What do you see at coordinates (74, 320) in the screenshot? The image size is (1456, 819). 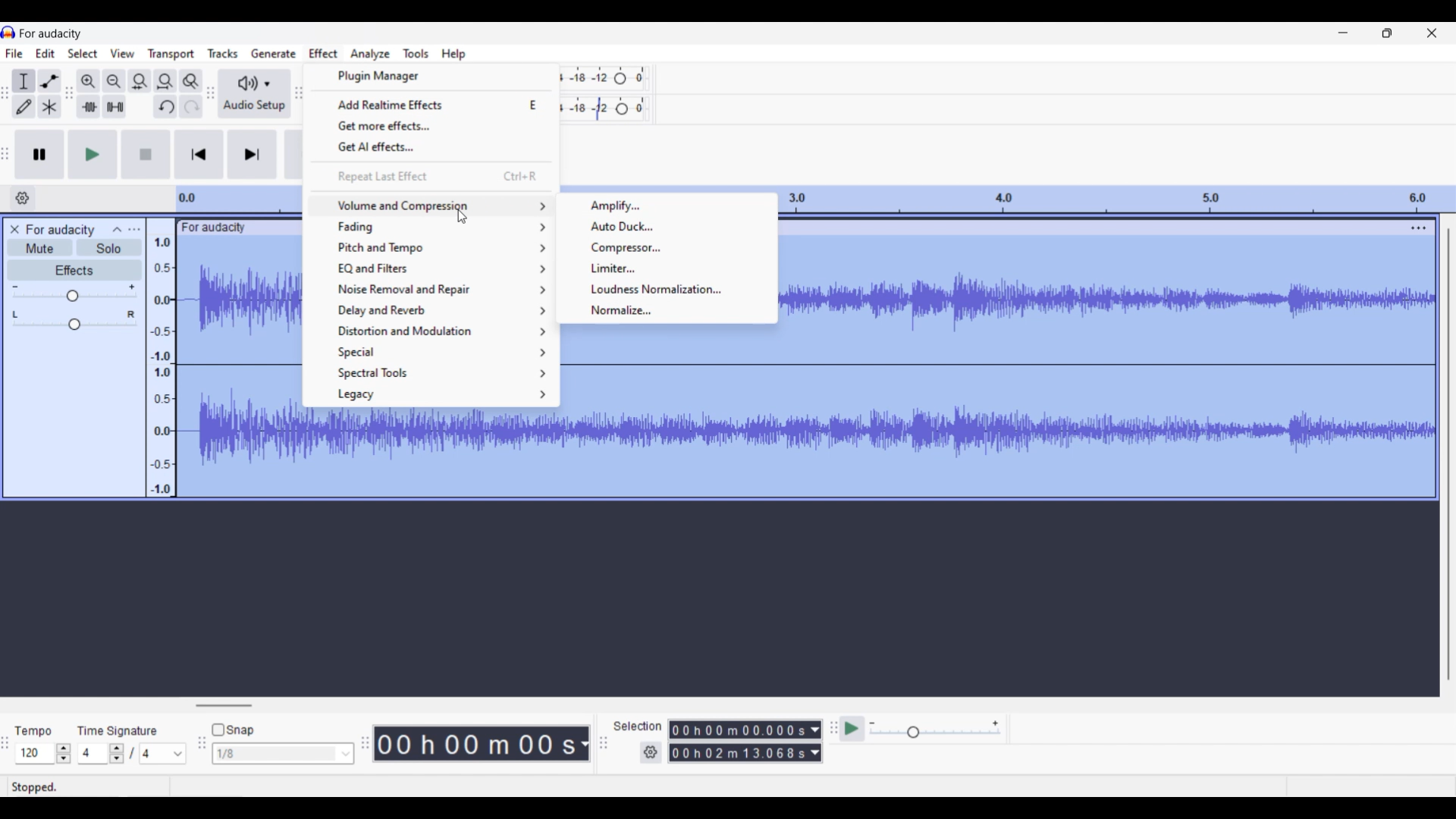 I see `Pan slide` at bounding box center [74, 320].